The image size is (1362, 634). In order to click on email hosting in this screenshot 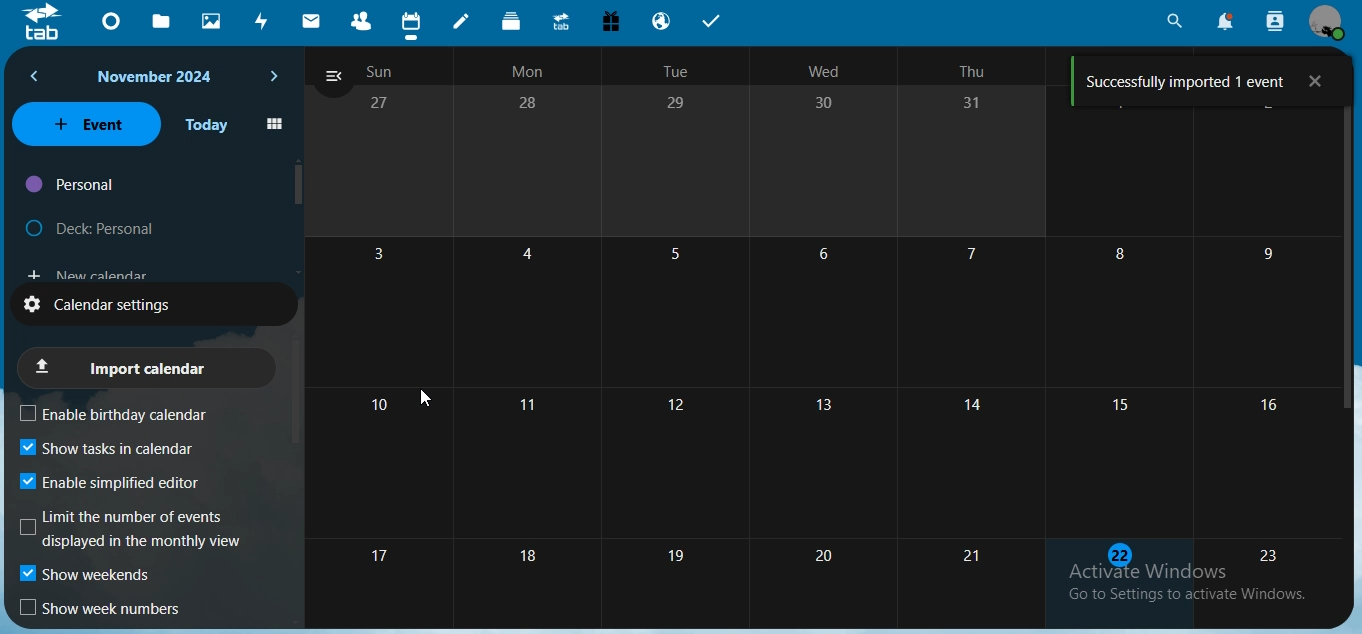, I will do `click(663, 20)`.